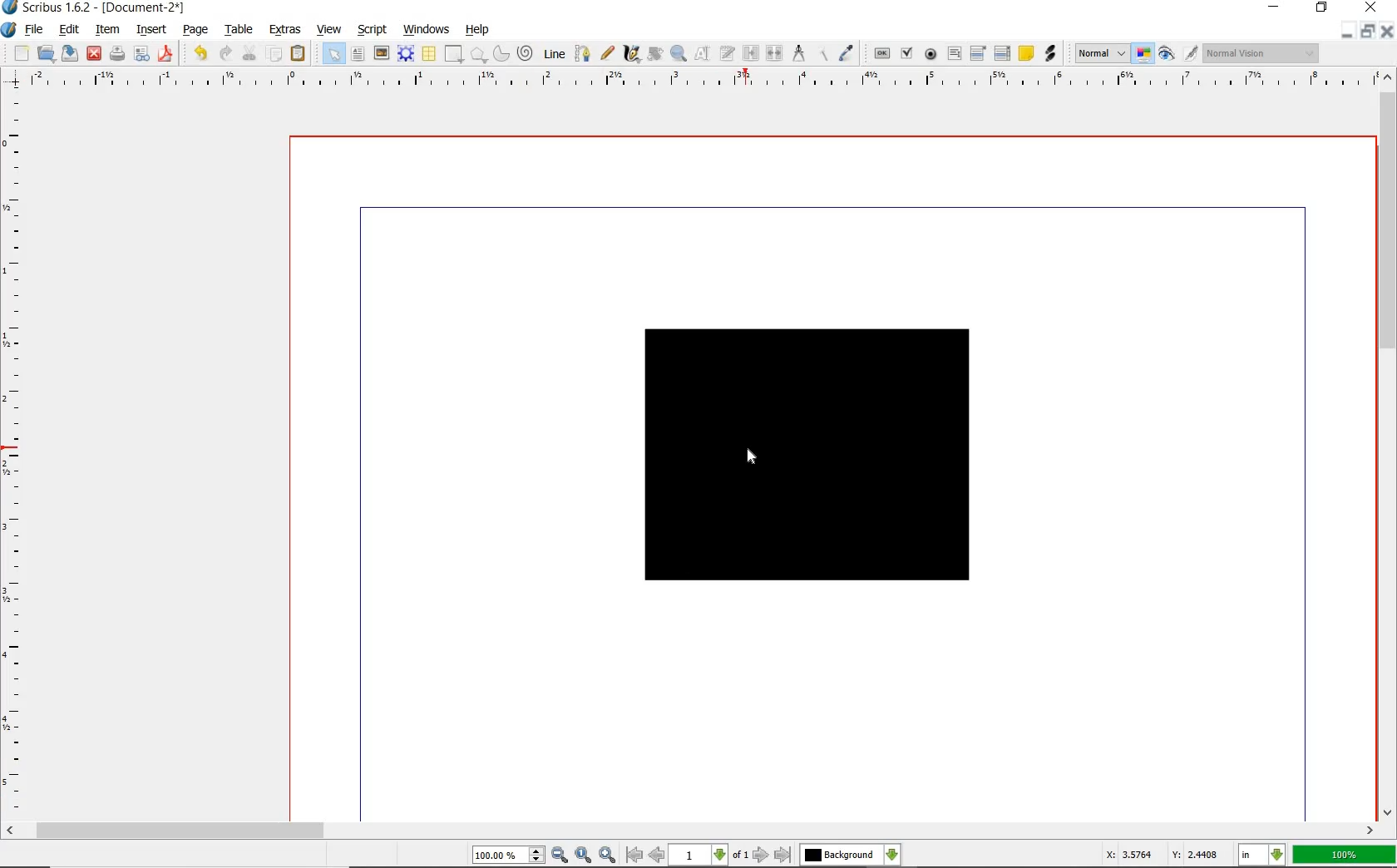 The height and width of the screenshot is (868, 1397). Describe the element at coordinates (17, 455) in the screenshot. I see `ruler` at that location.